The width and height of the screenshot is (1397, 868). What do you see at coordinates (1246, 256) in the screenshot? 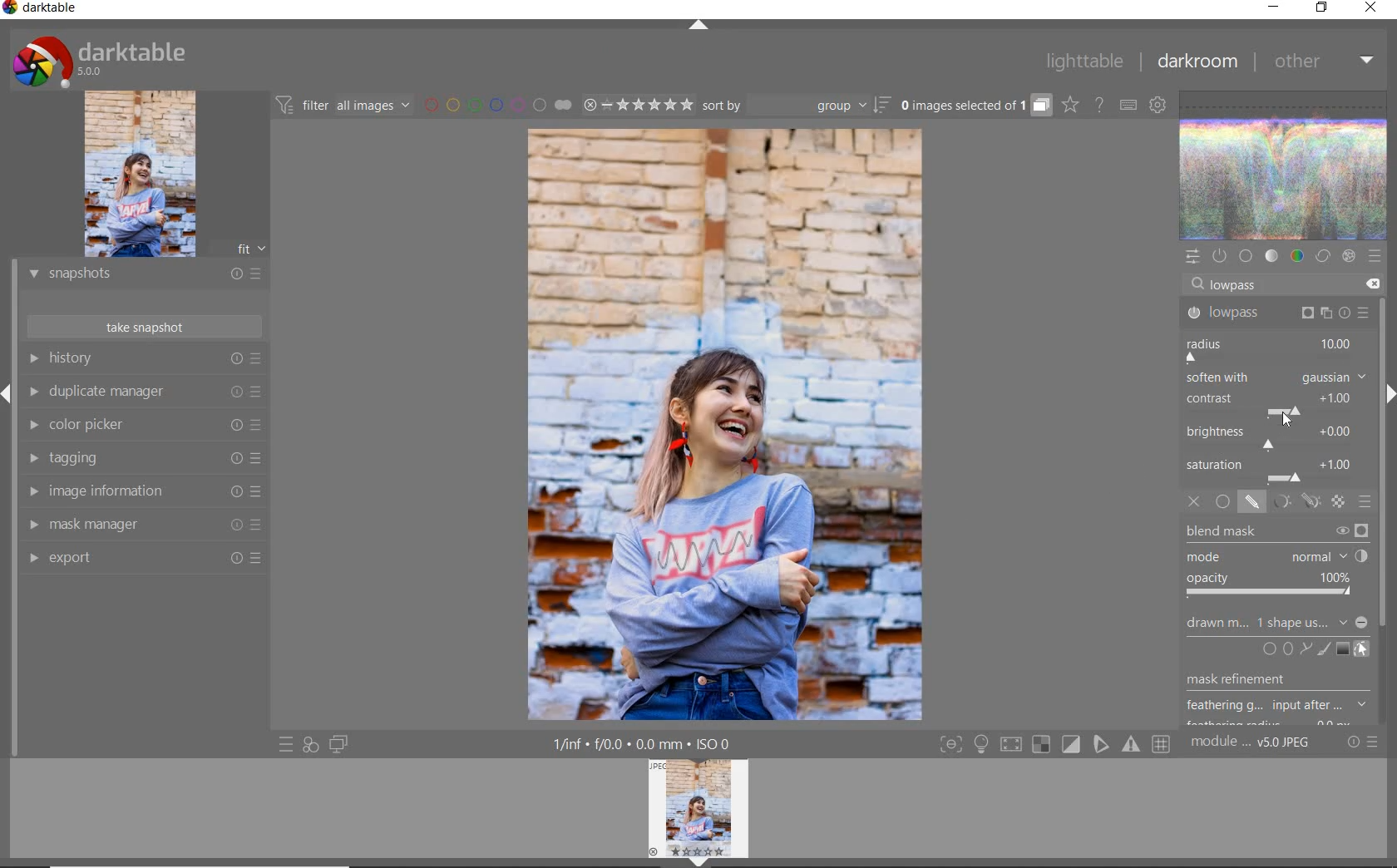
I see `base` at bounding box center [1246, 256].